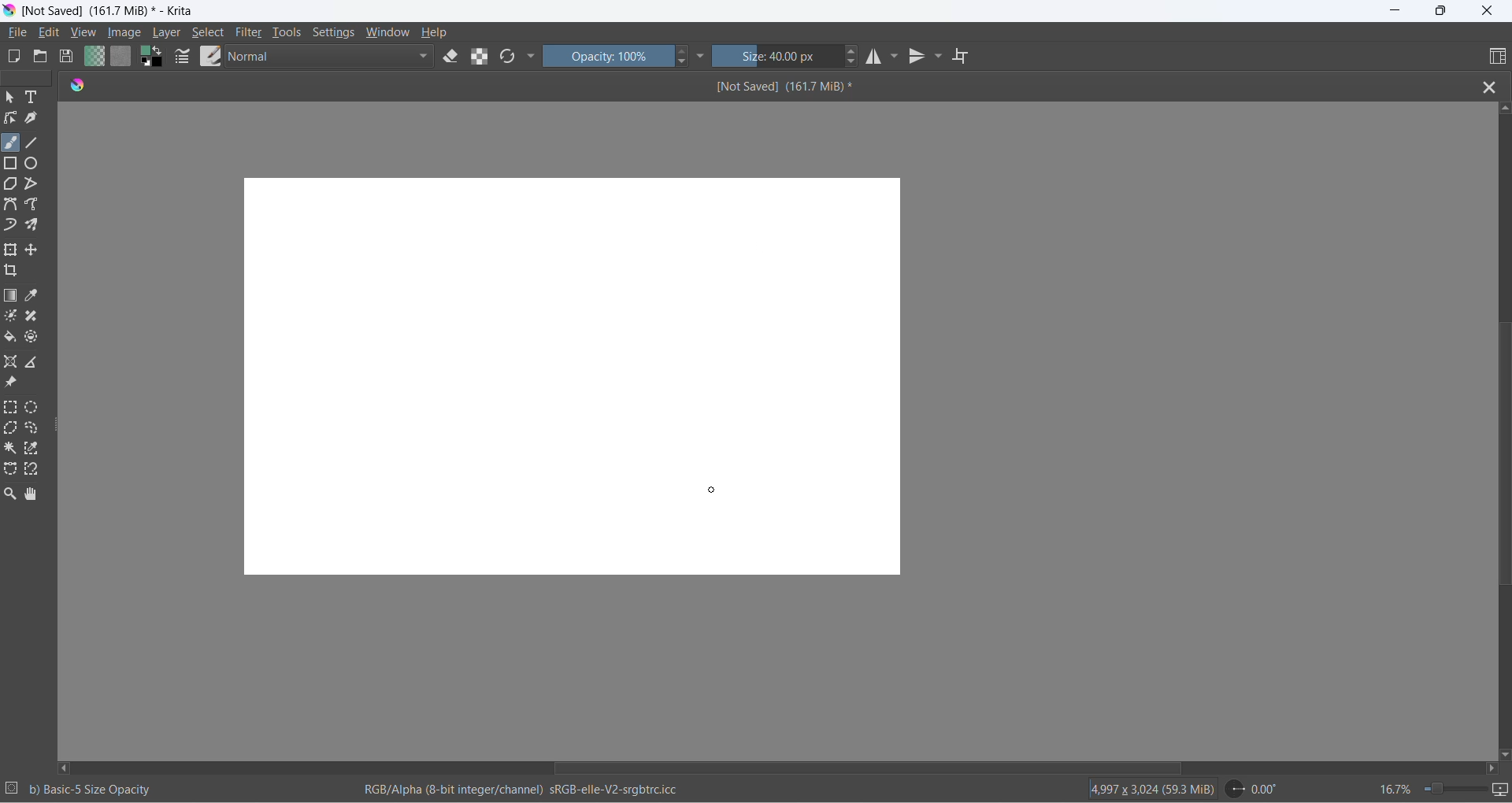 Image resolution: width=1512 pixels, height=803 pixels. I want to click on increment size, so click(853, 50).